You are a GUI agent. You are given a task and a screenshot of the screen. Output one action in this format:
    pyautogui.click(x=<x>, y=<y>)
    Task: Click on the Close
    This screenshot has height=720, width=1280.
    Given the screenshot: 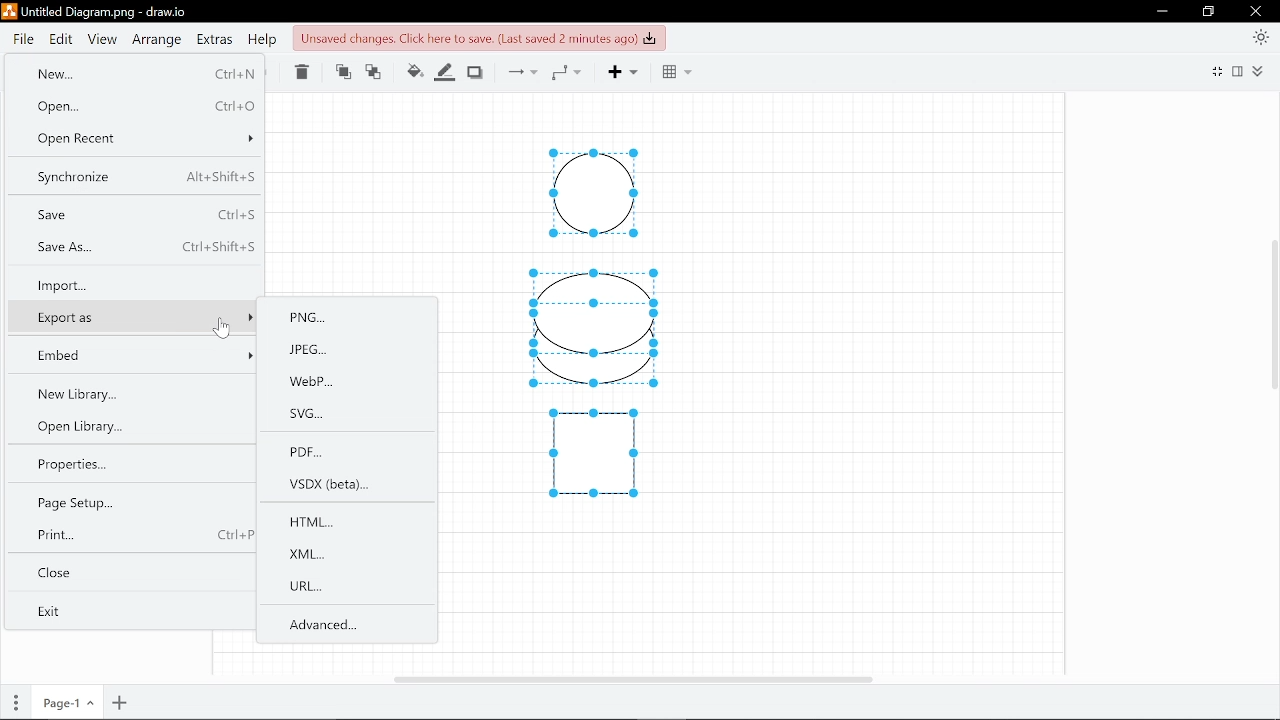 What is the action you would take?
    pyautogui.click(x=134, y=573)
    